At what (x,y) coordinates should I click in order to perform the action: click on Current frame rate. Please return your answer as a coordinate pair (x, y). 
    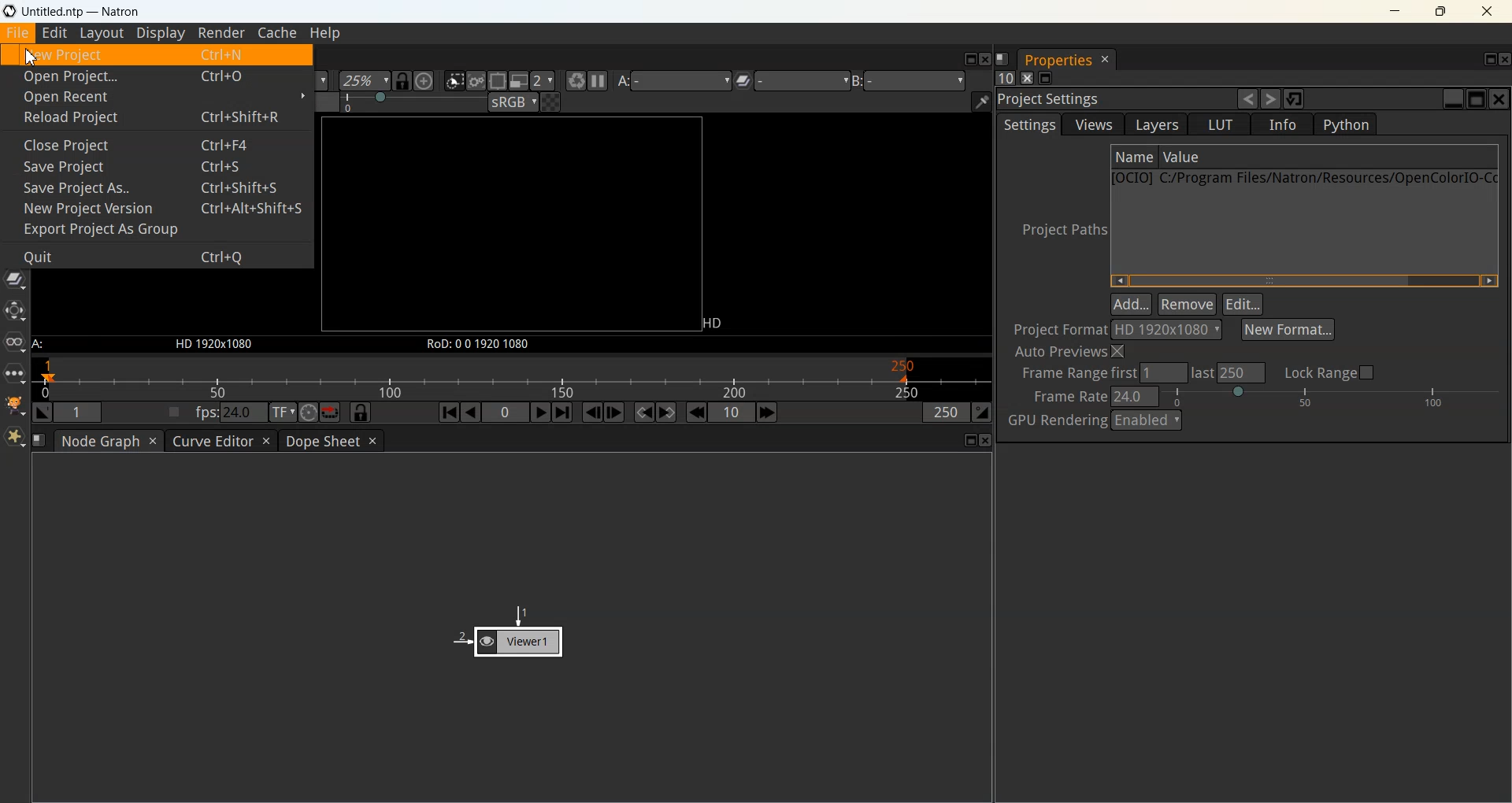
    Looking at the image, I should click on (1137, 395).